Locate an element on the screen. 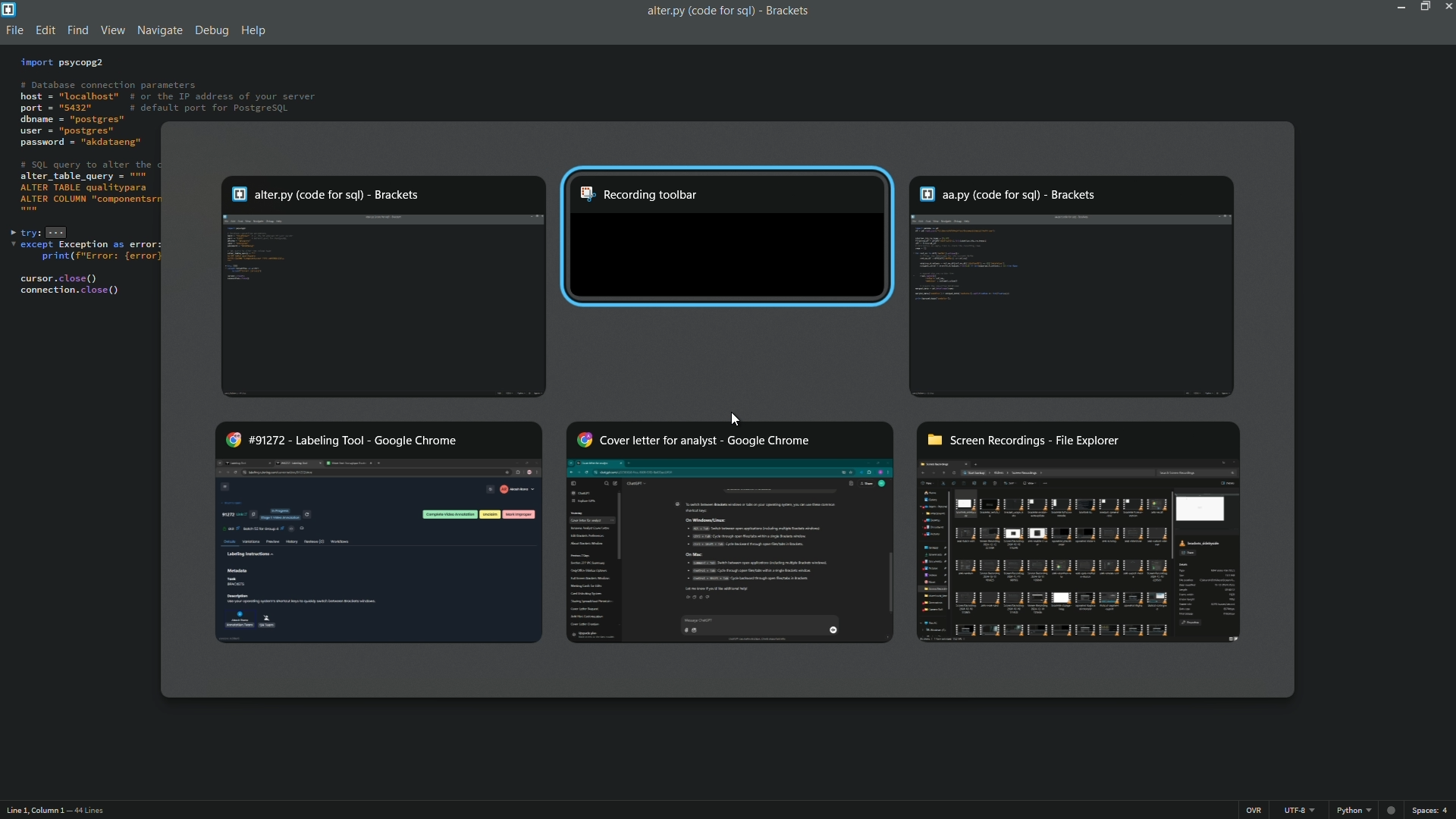 The image size is (1456, 819). app name is located at coordinates (789, 9).